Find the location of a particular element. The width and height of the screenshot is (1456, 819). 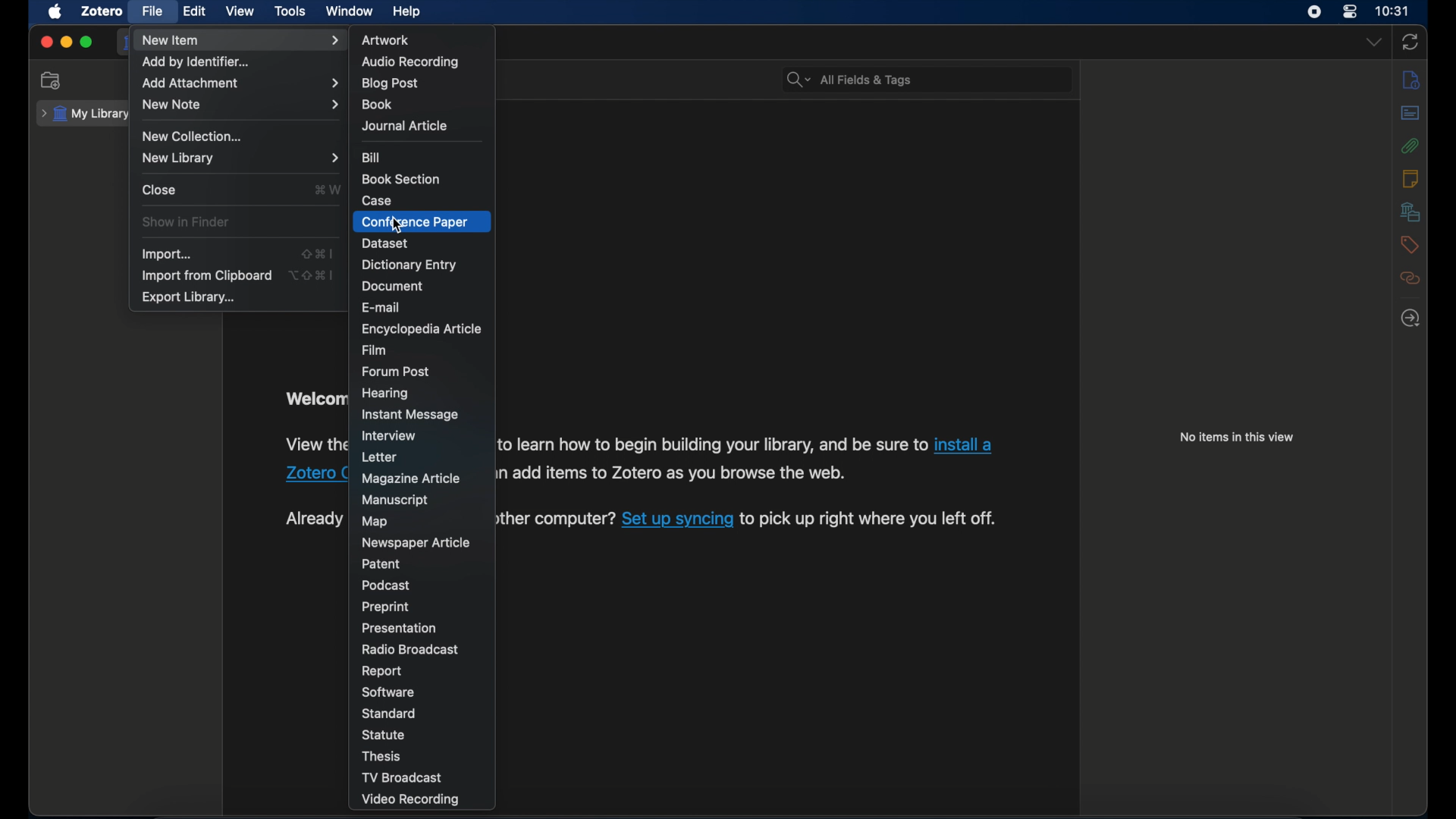

apple is located at coordinates (56, 11).